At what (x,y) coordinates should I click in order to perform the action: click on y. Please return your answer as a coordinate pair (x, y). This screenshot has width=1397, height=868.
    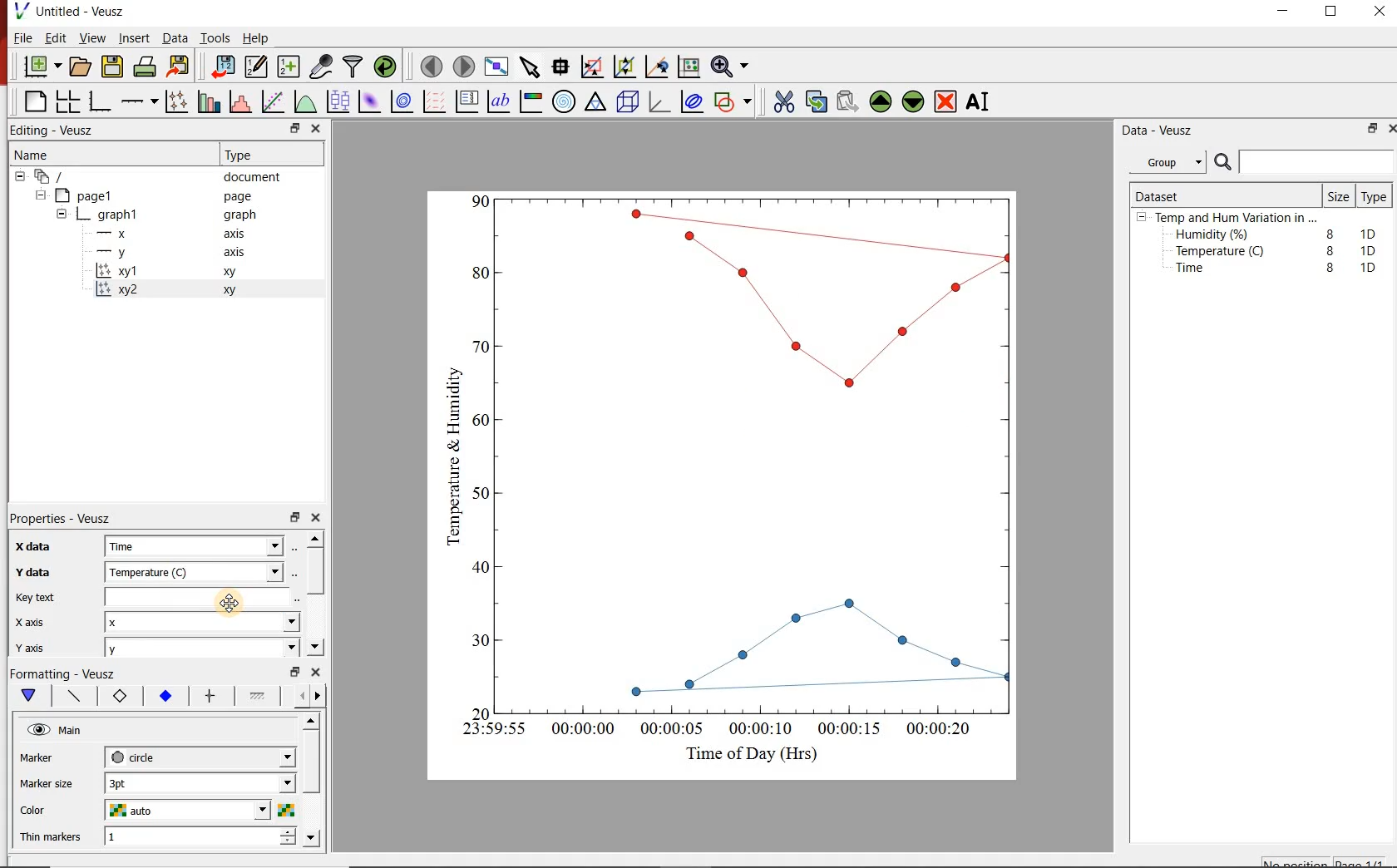
    Looking at the image, I should click on (136, 650).